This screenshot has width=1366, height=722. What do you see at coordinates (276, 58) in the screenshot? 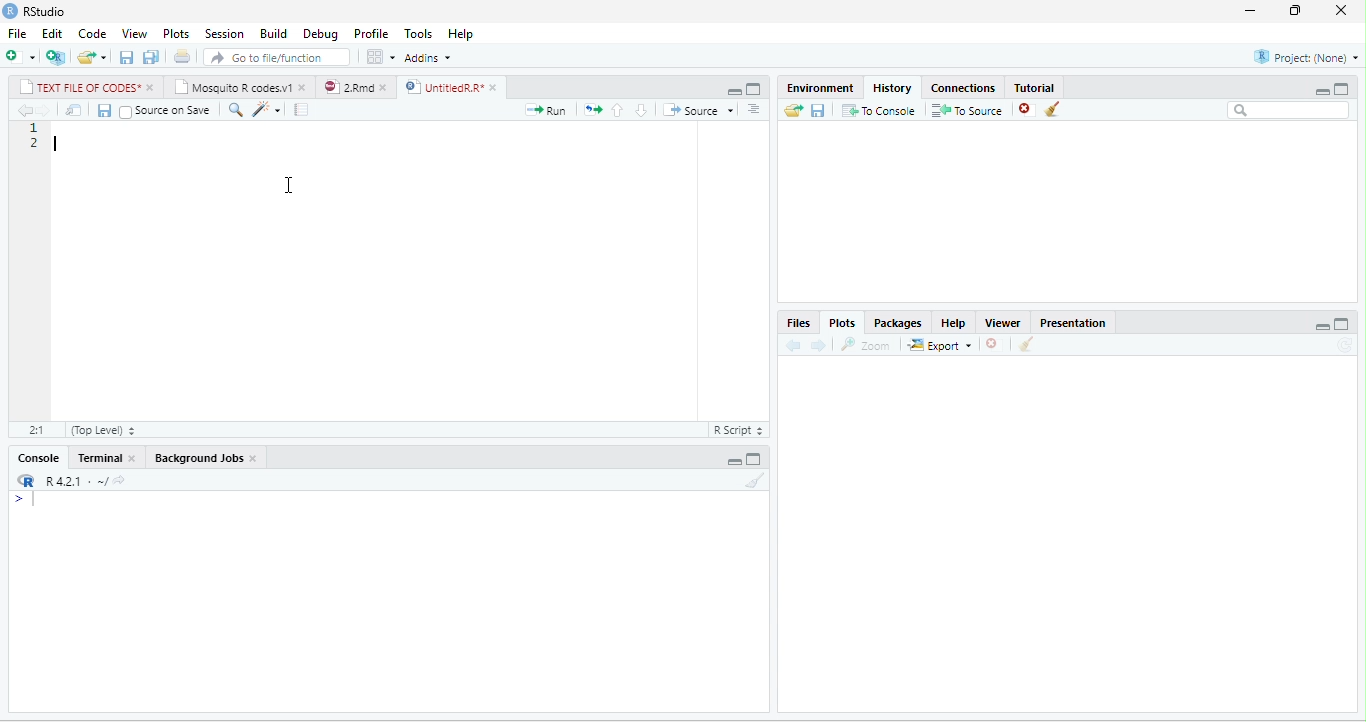
I see `search file` at bounding box center [276, 58].